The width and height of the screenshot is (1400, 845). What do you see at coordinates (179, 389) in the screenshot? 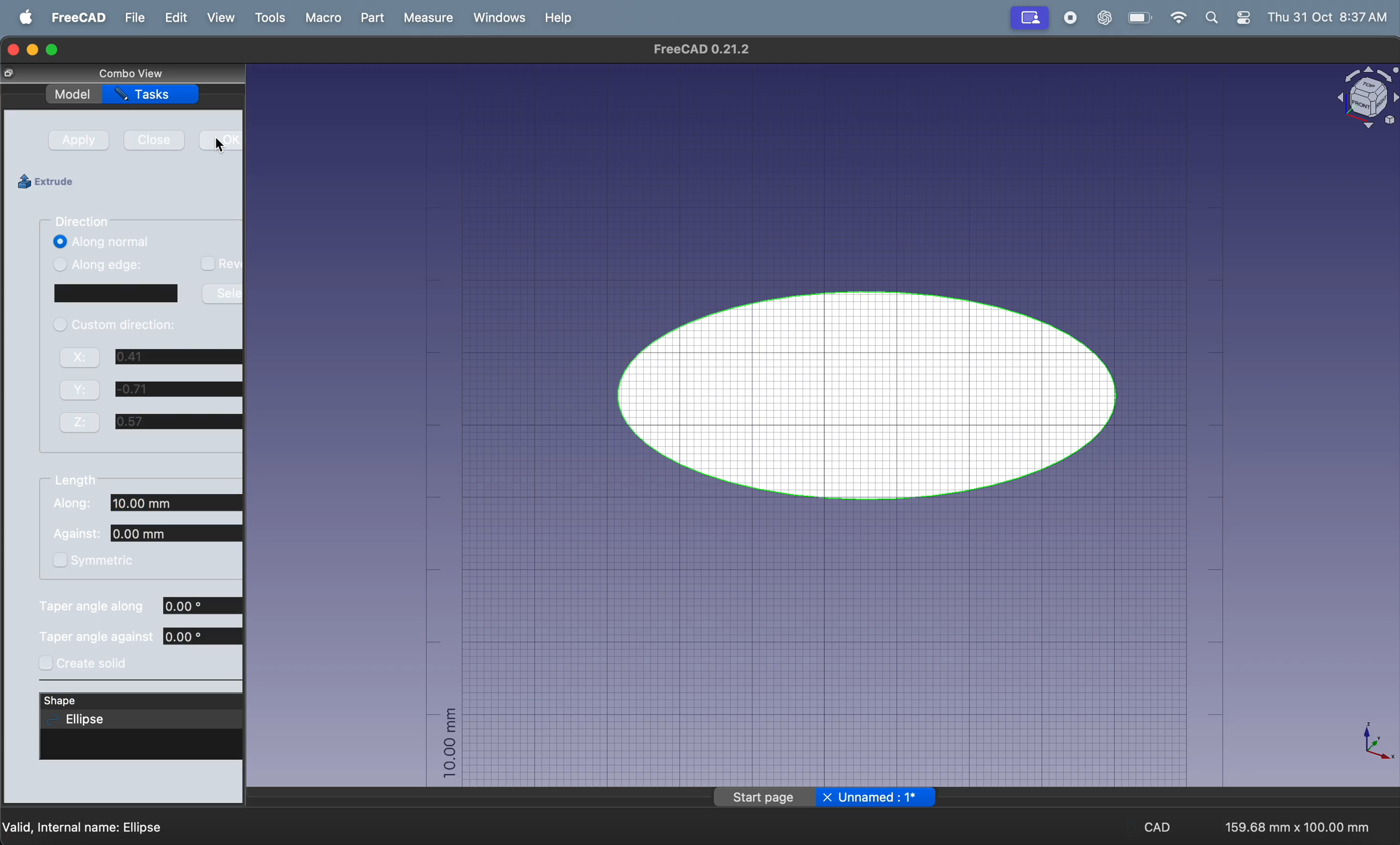
I see `0.71` at bounding box center [179, 389].